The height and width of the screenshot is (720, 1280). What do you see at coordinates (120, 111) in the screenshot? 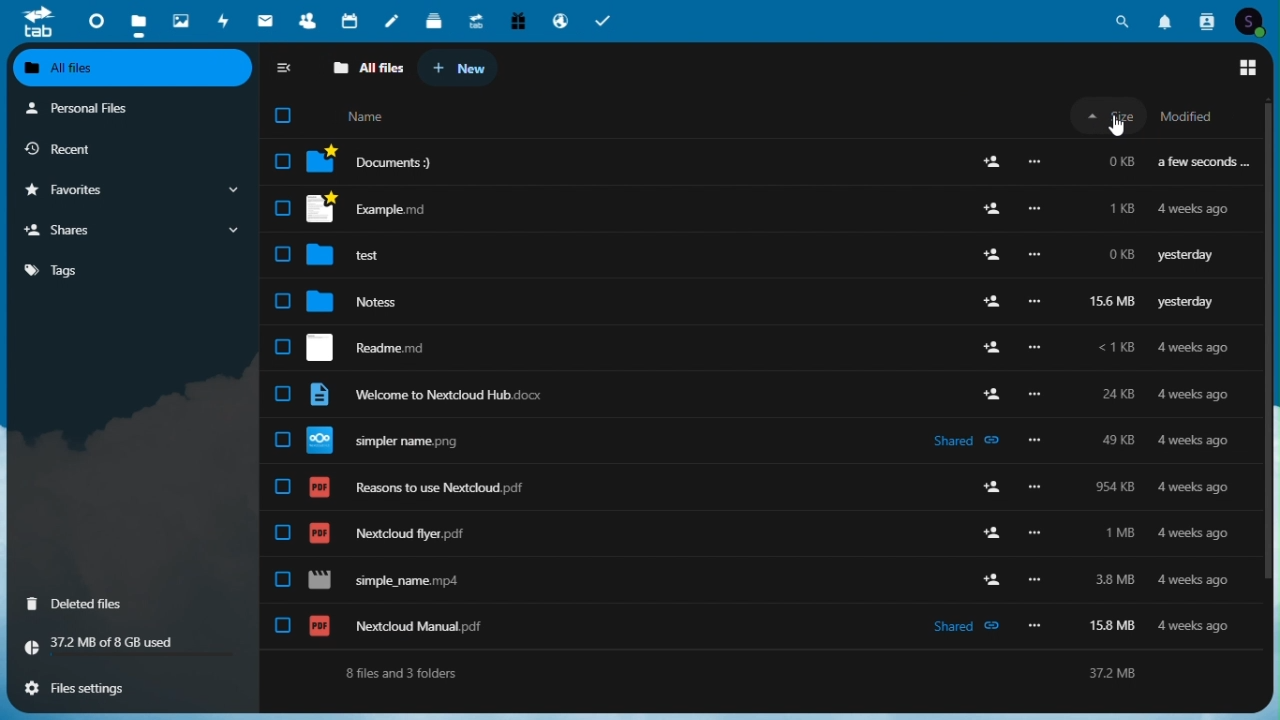
I see `Personal` at bounding box center [120, 111].